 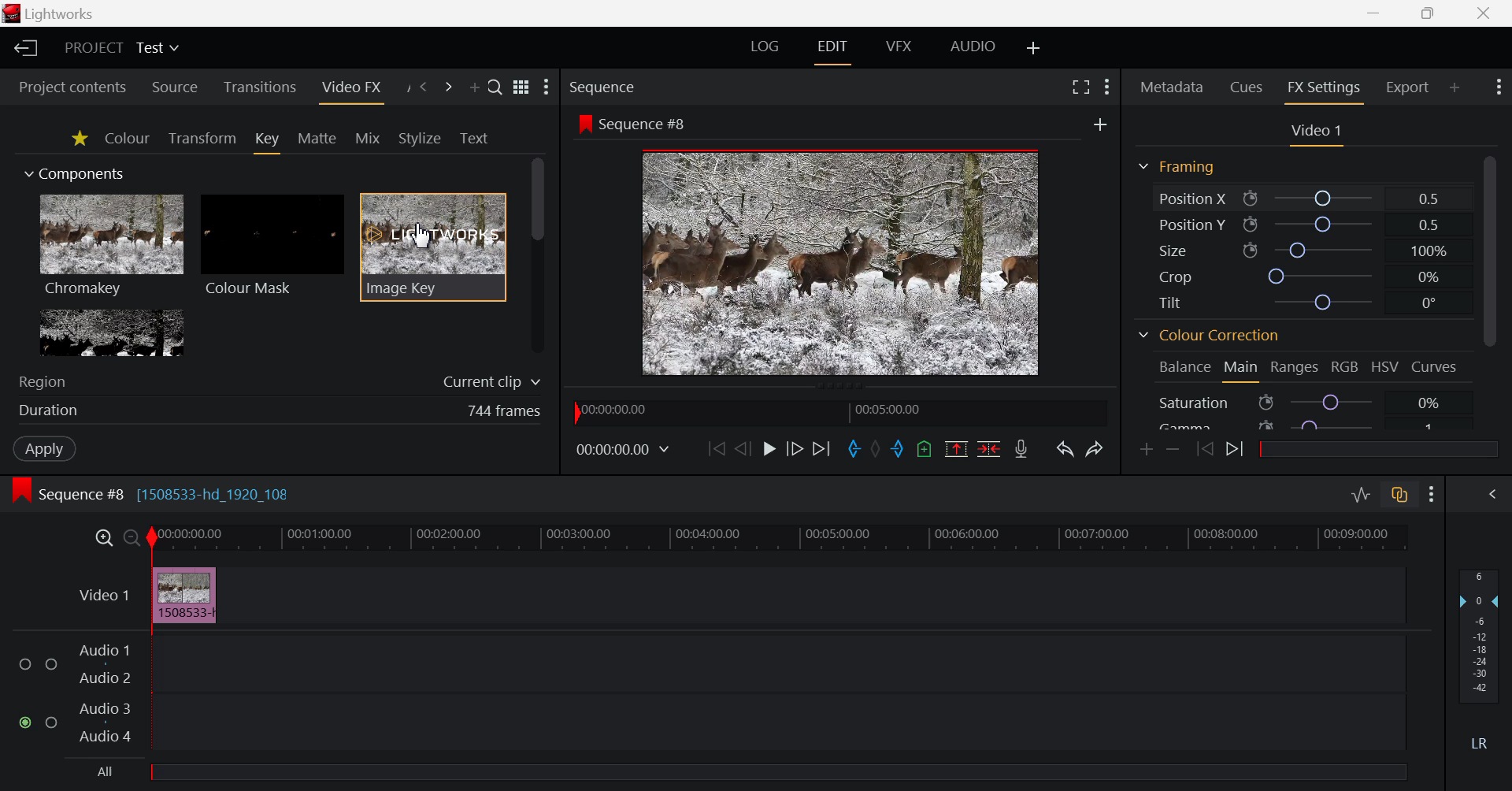 What do you see at coordinates (646, 124) in the screenshot?
I see `Sequence #8` at bounding box center [646, 124].